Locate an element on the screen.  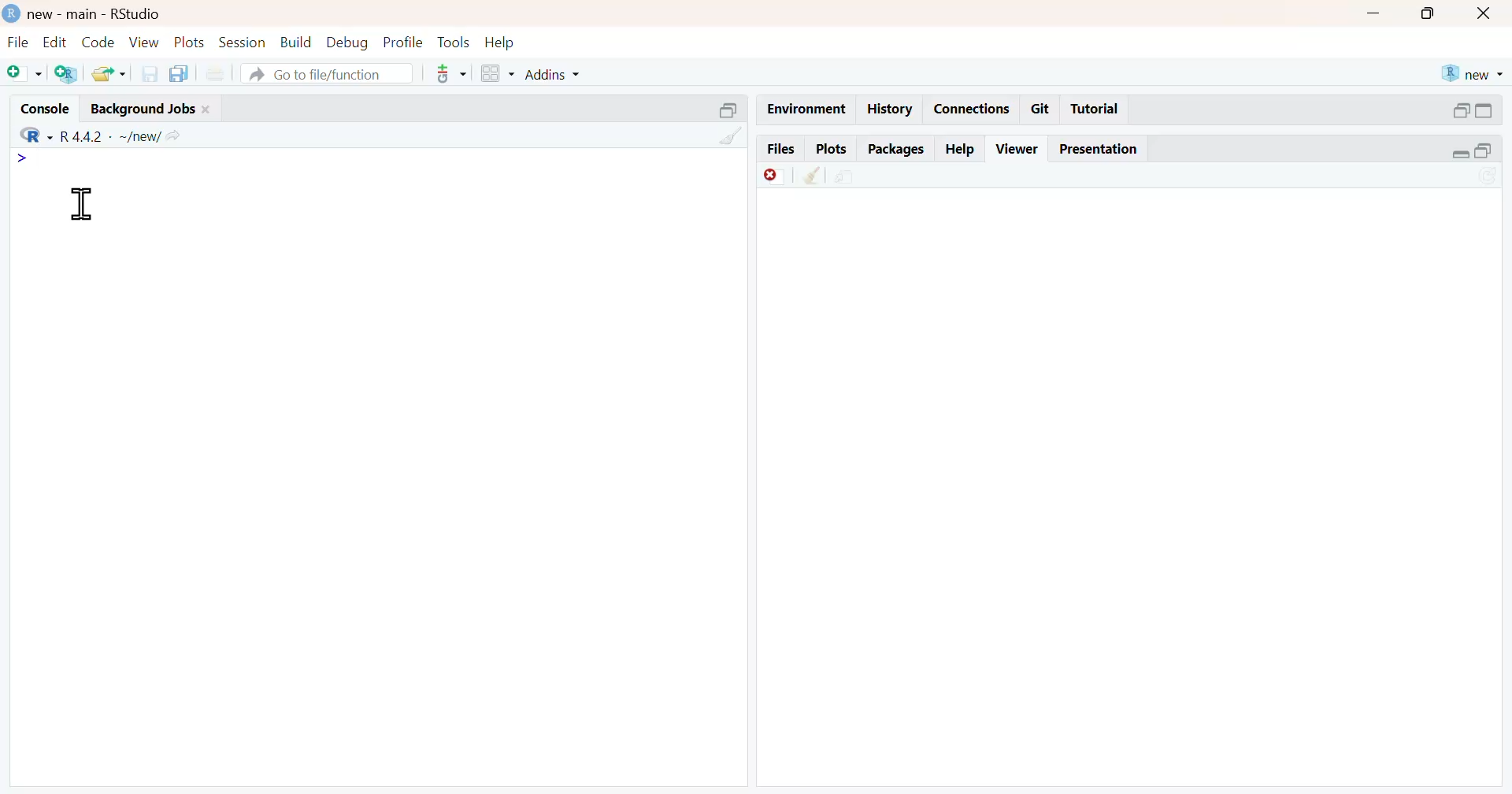
code is located at coordinates (102, 43).